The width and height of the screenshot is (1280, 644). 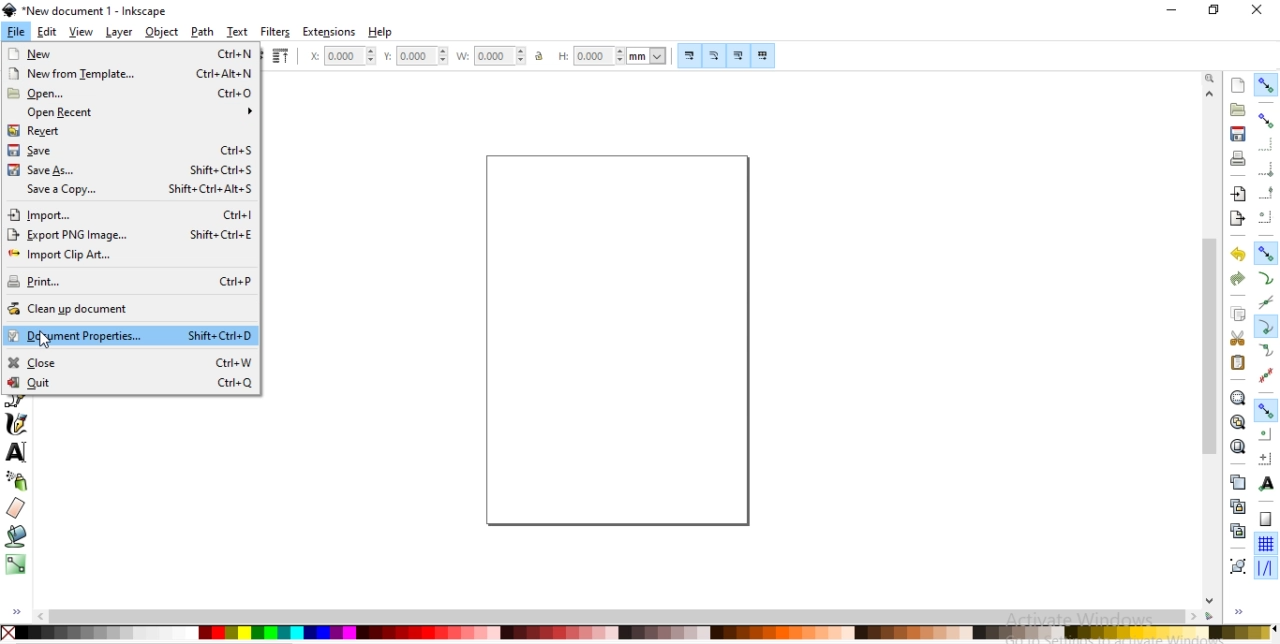 What do you see at coordinates (130, 74) in the screenshot?
I see `new from template` at bounding box center [130, 74].